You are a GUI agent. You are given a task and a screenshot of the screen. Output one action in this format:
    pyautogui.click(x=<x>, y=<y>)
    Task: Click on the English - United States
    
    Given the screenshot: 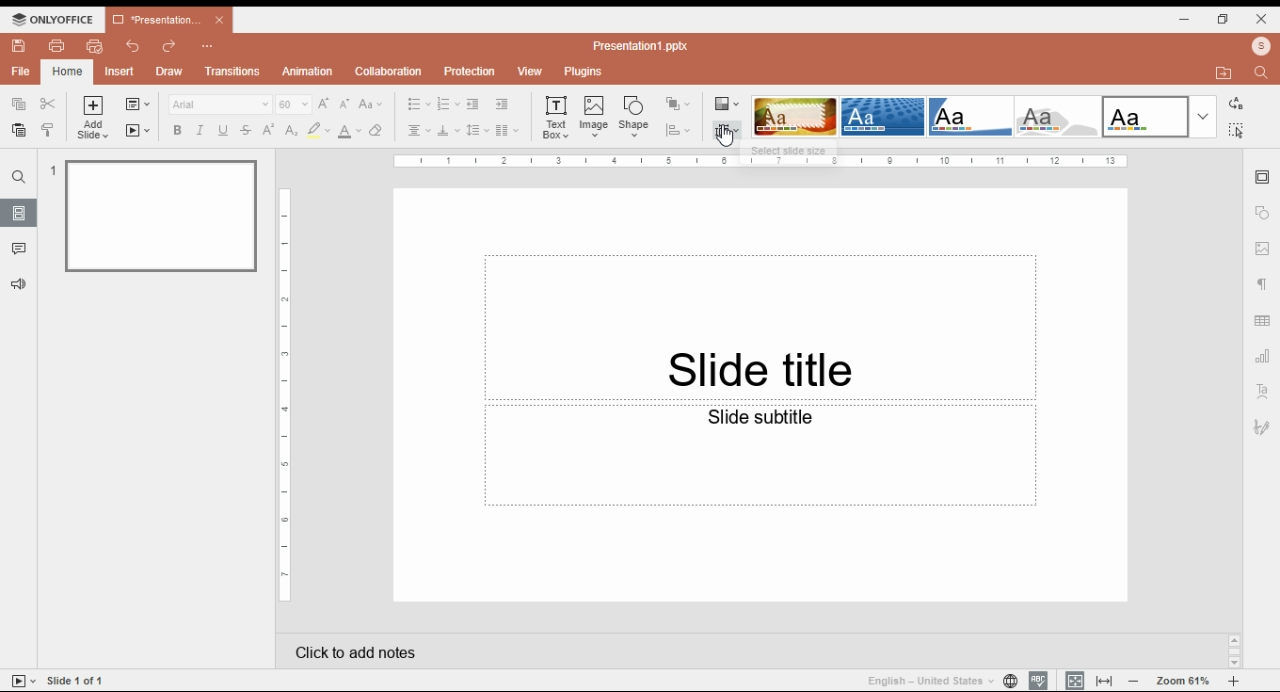 What is the action you would take?
    pyautogui.click(x=923, y=680)
    